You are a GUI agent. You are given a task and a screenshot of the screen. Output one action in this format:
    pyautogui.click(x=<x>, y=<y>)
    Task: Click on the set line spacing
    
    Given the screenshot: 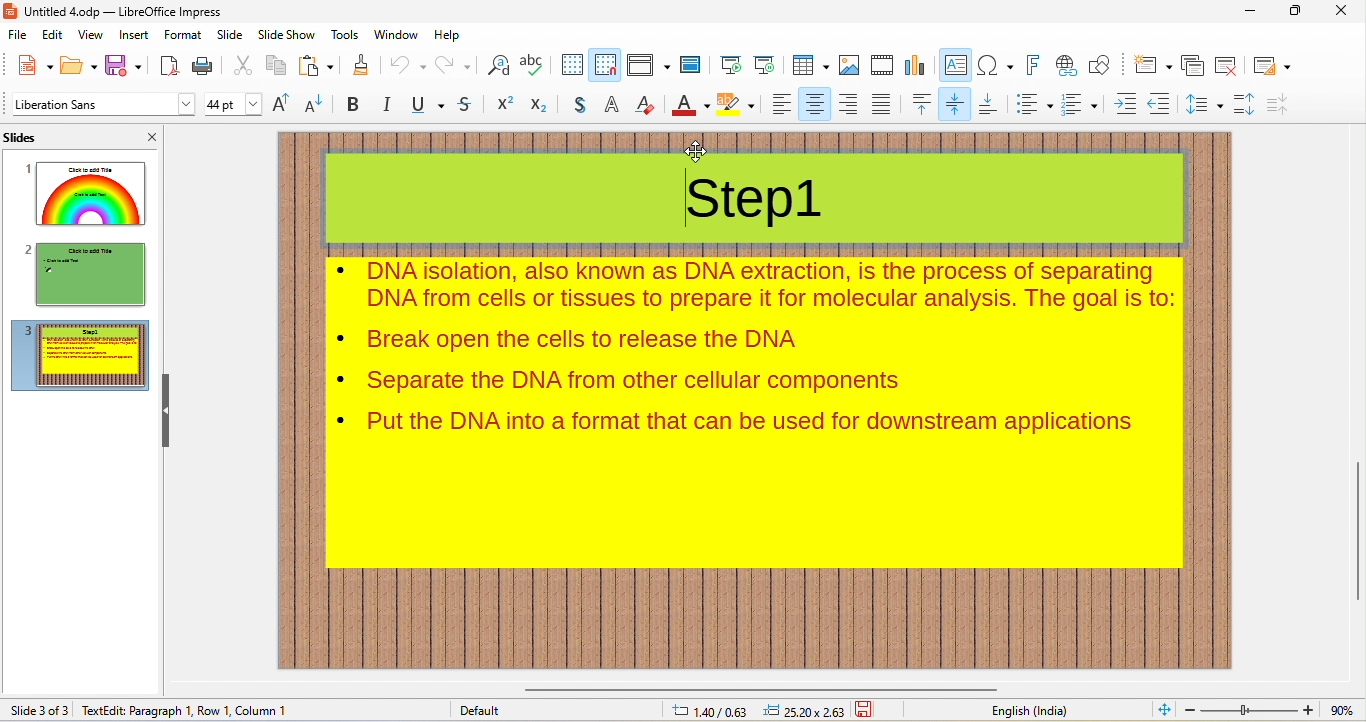 What is the action you would take?
    pyautogui.click(x=1206, y=104)
    